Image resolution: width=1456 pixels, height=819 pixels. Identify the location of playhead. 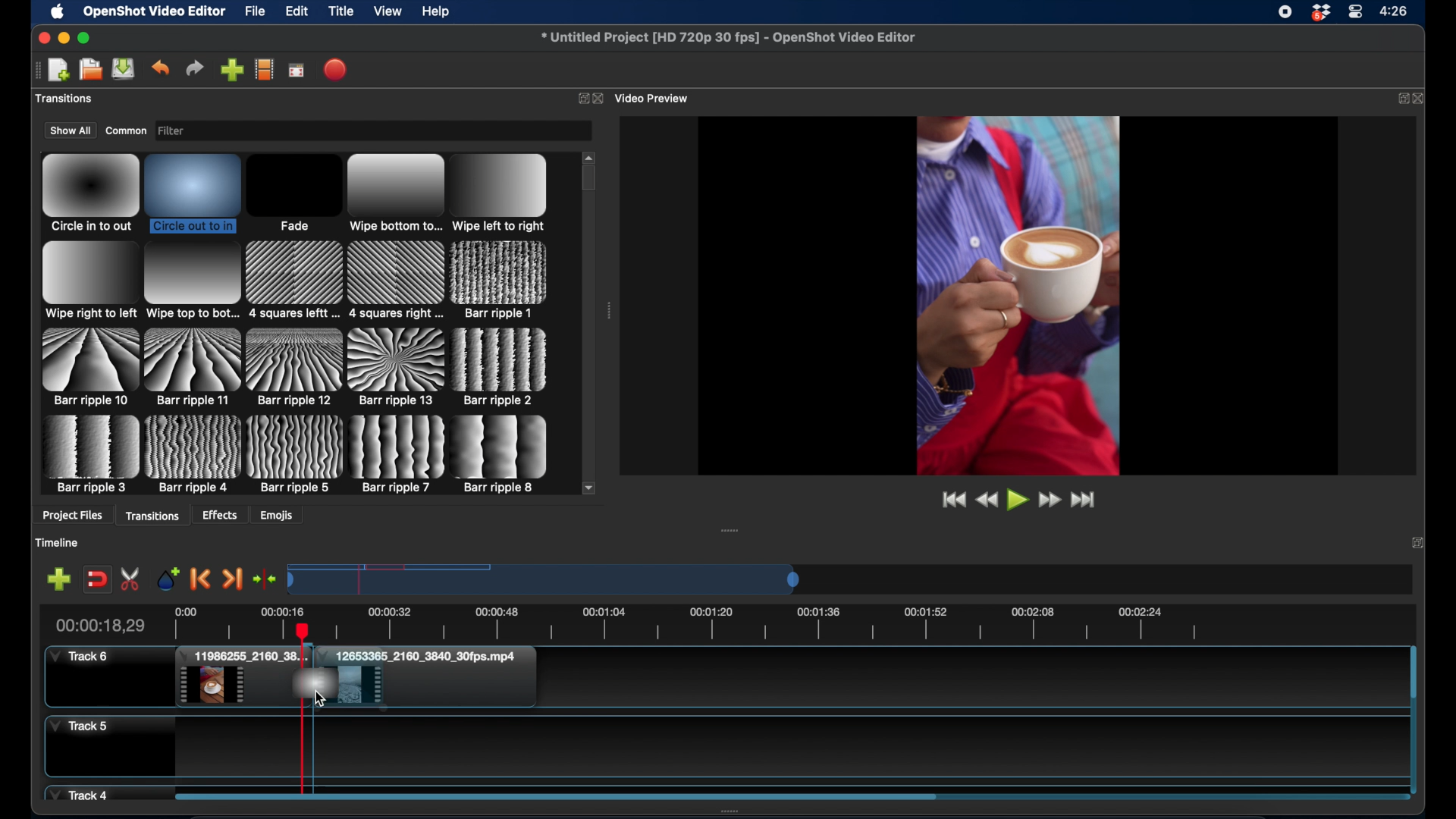
(303, 713).